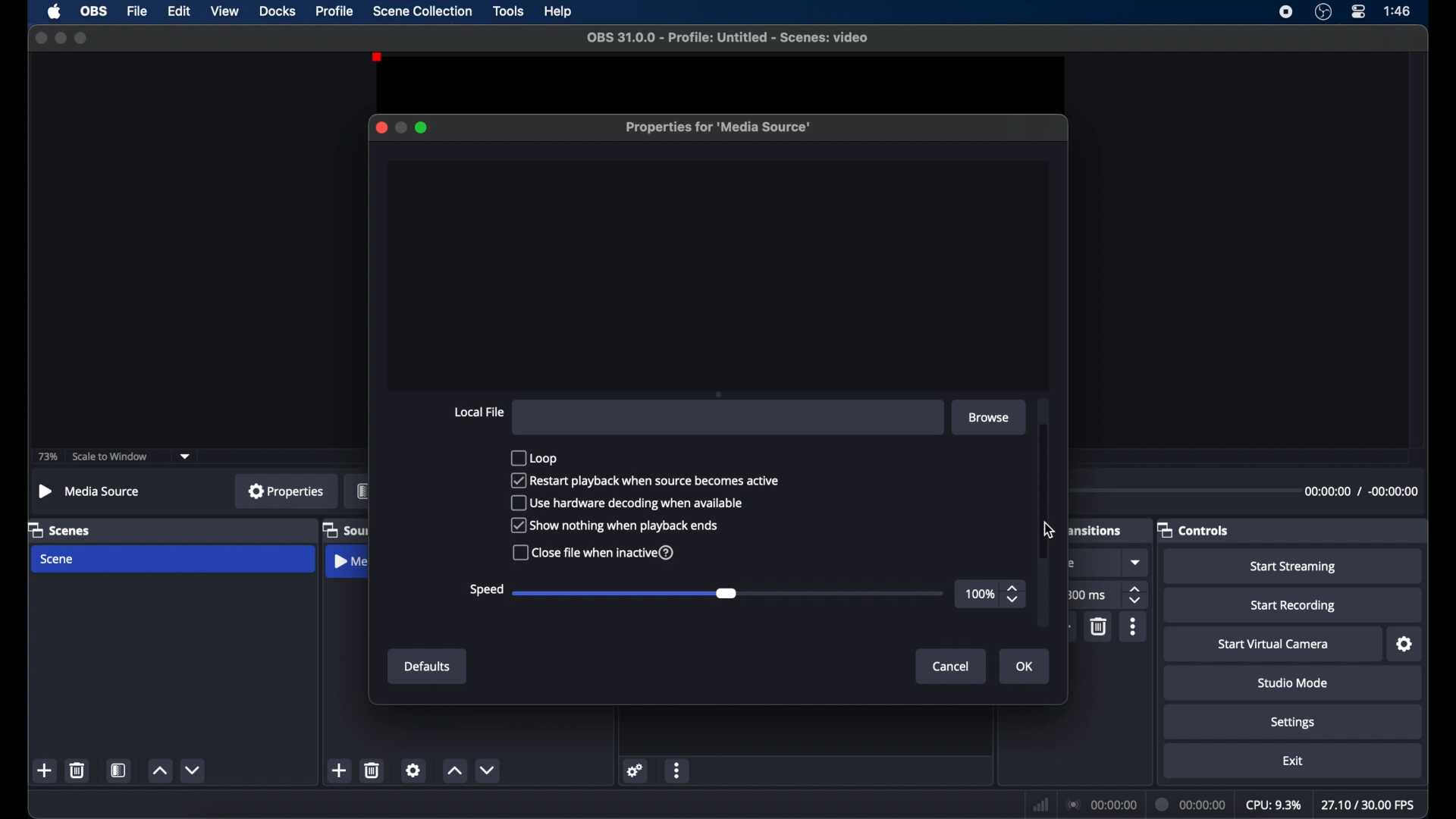  Describe the element at coordinates (1074, 563) in the screenshot. I see `obscure text` at that location.